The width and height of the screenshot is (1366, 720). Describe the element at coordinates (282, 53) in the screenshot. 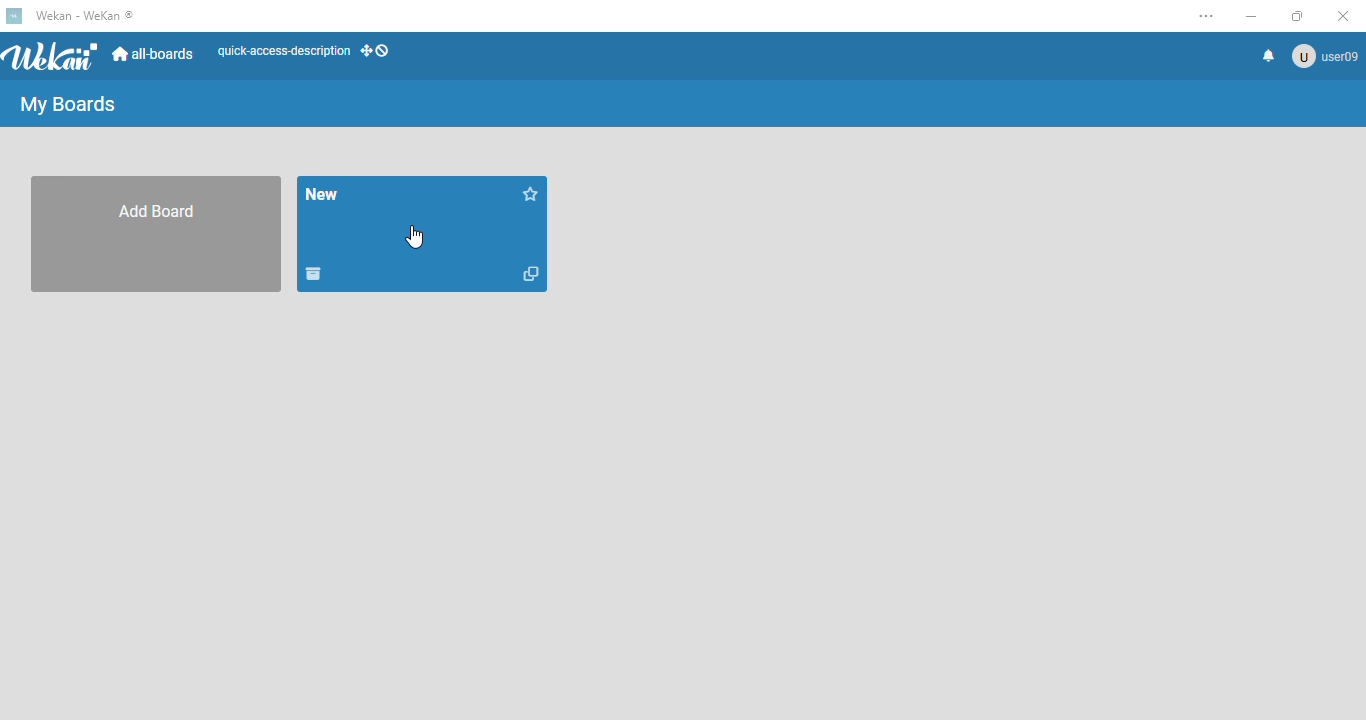

I see `quick-access-description` at that location.